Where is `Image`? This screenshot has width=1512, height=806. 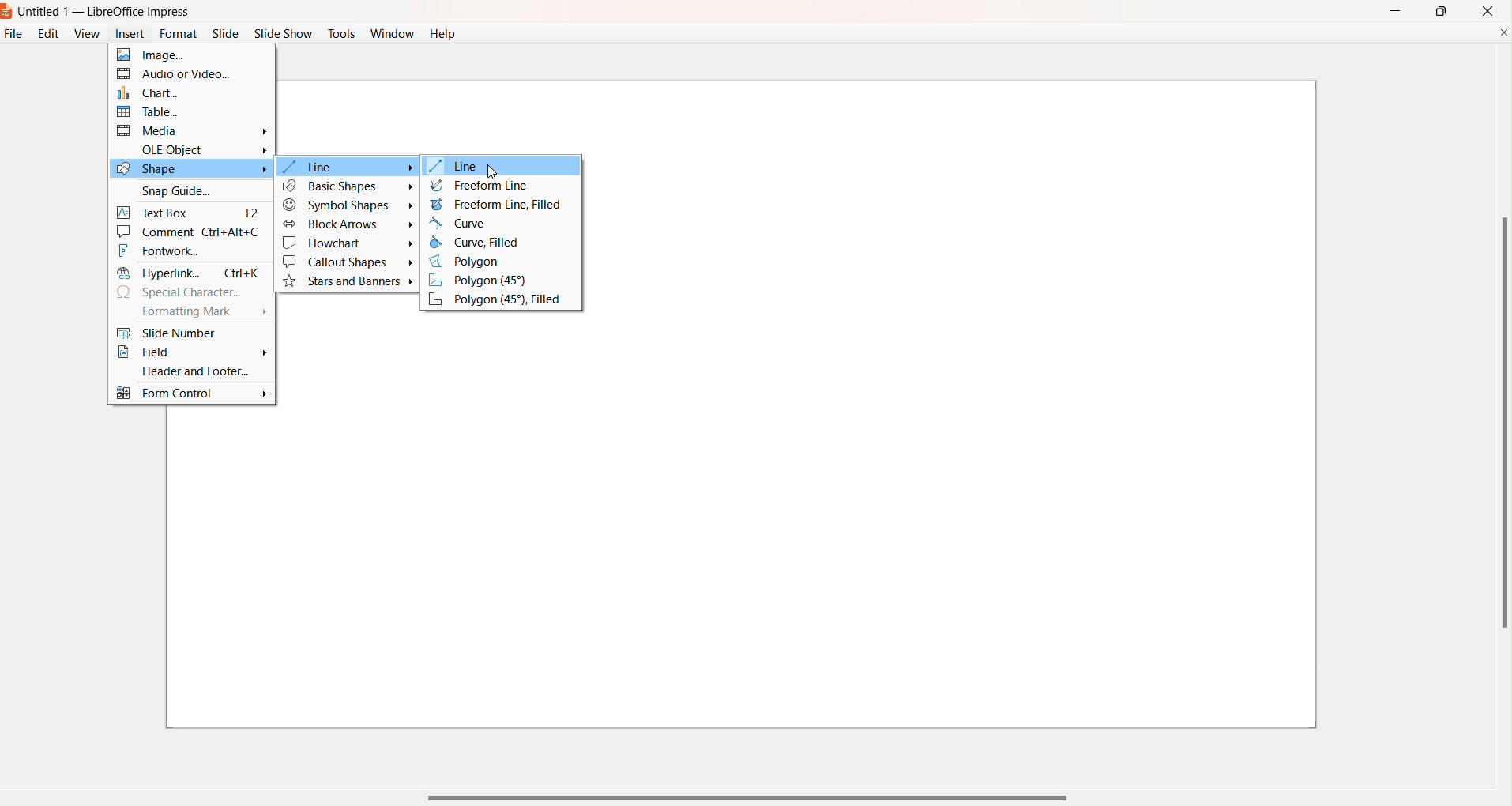
Image is located at coordinates (181, 55).